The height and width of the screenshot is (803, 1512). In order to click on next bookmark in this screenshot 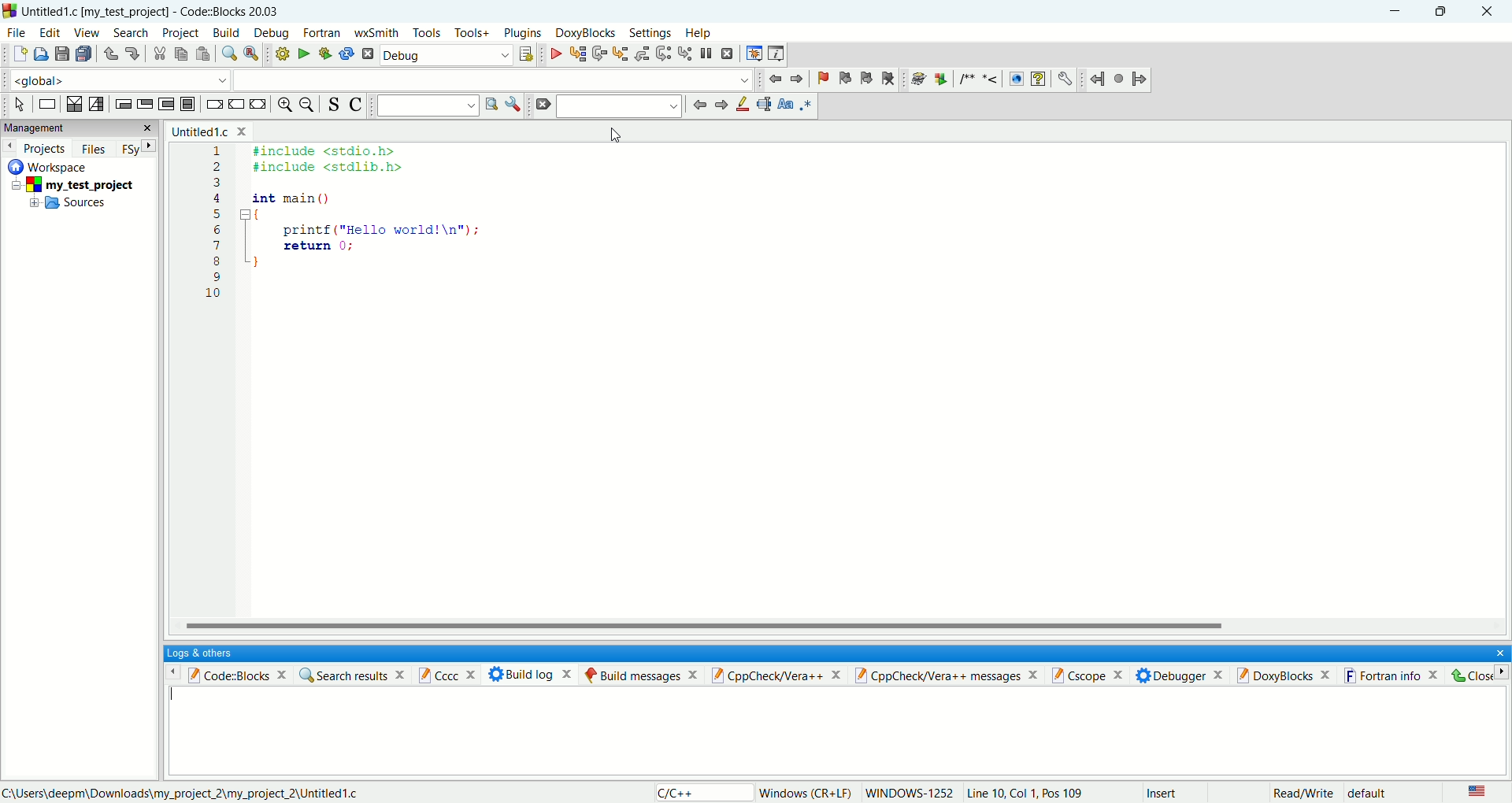, I will do `click(864, 81)`.